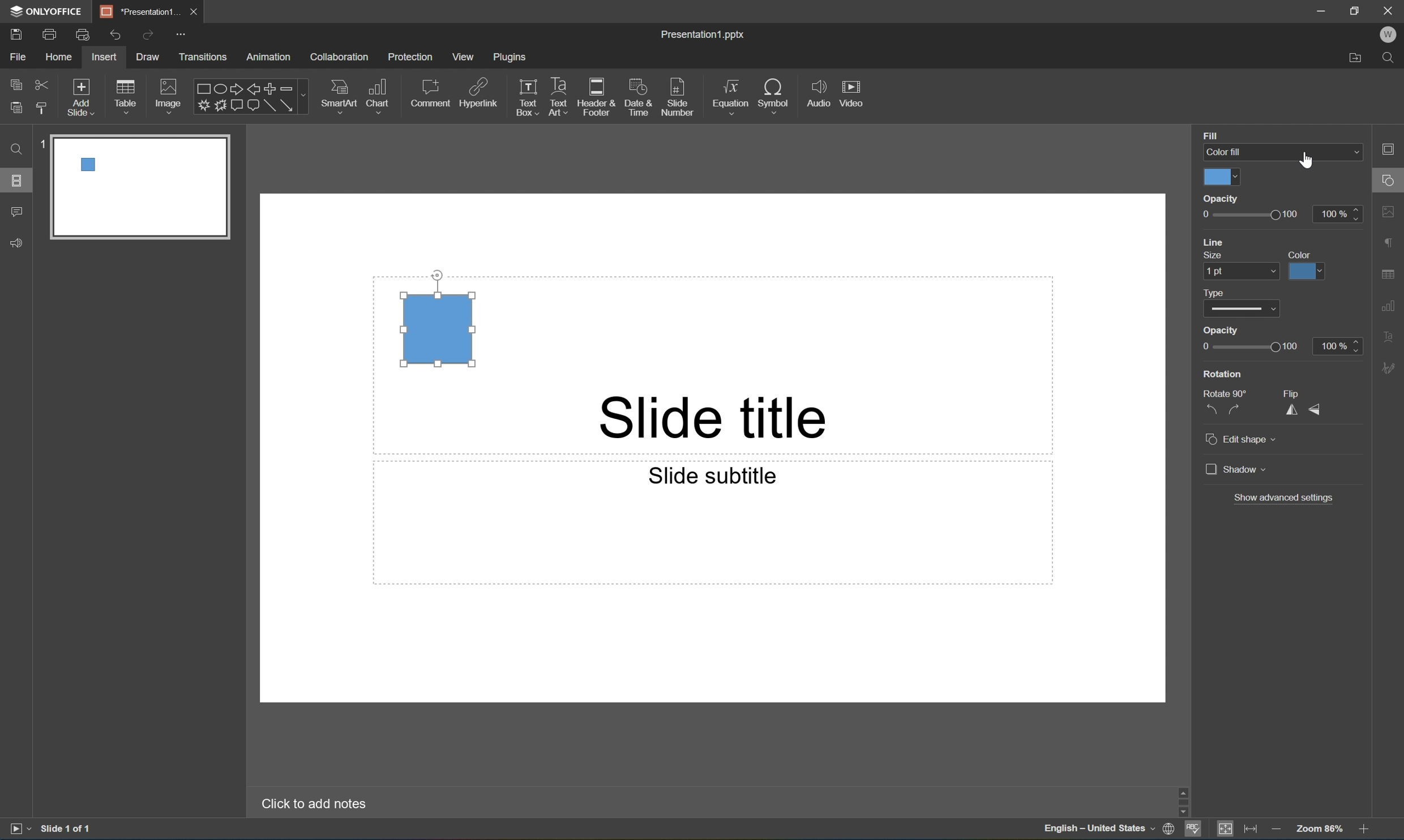 The image size is (1404, 840). Describe the element at coordinates (271, 88) in the screenshot. I see `Plus` at that location.